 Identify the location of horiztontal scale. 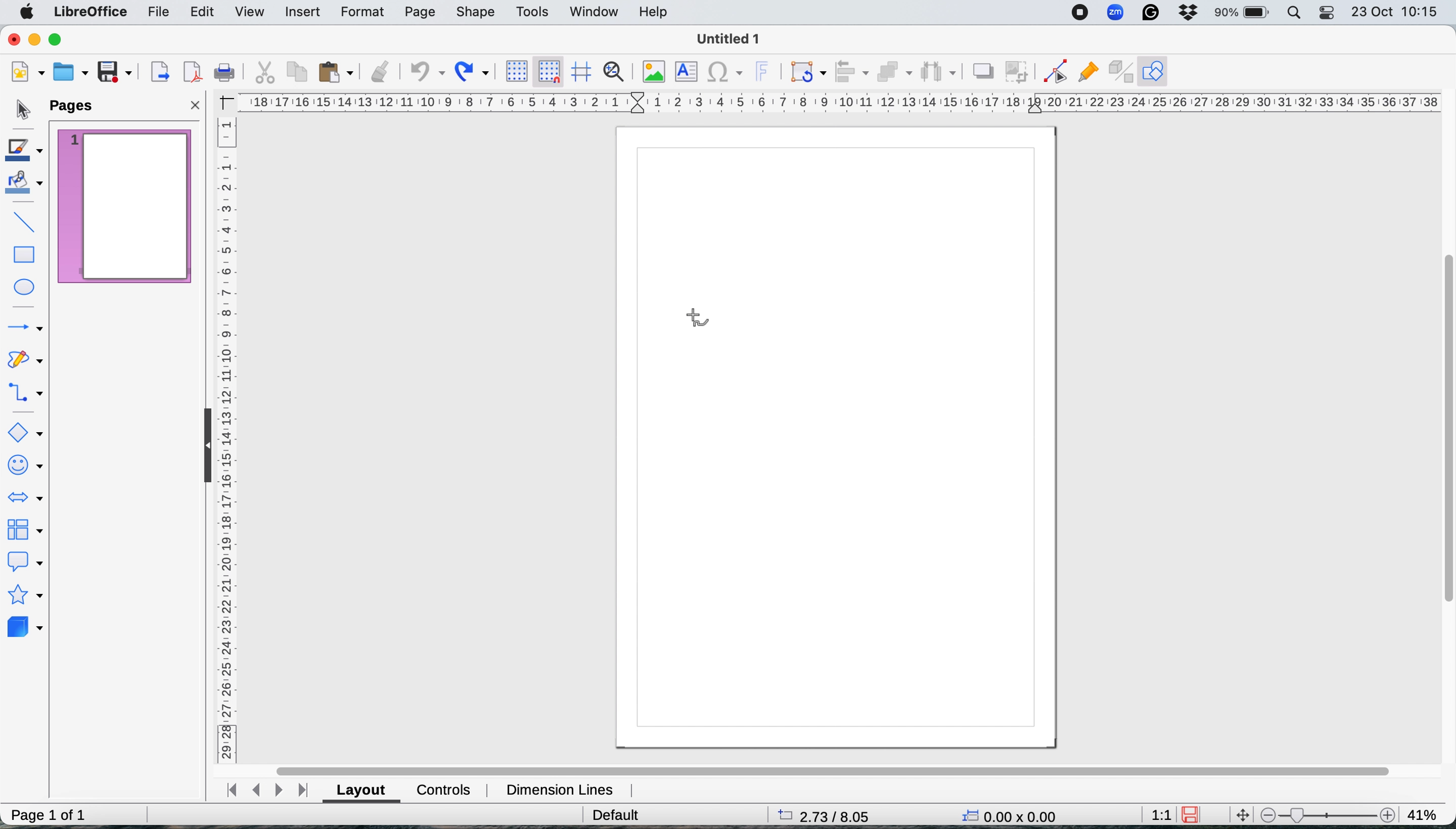
(839, 102).